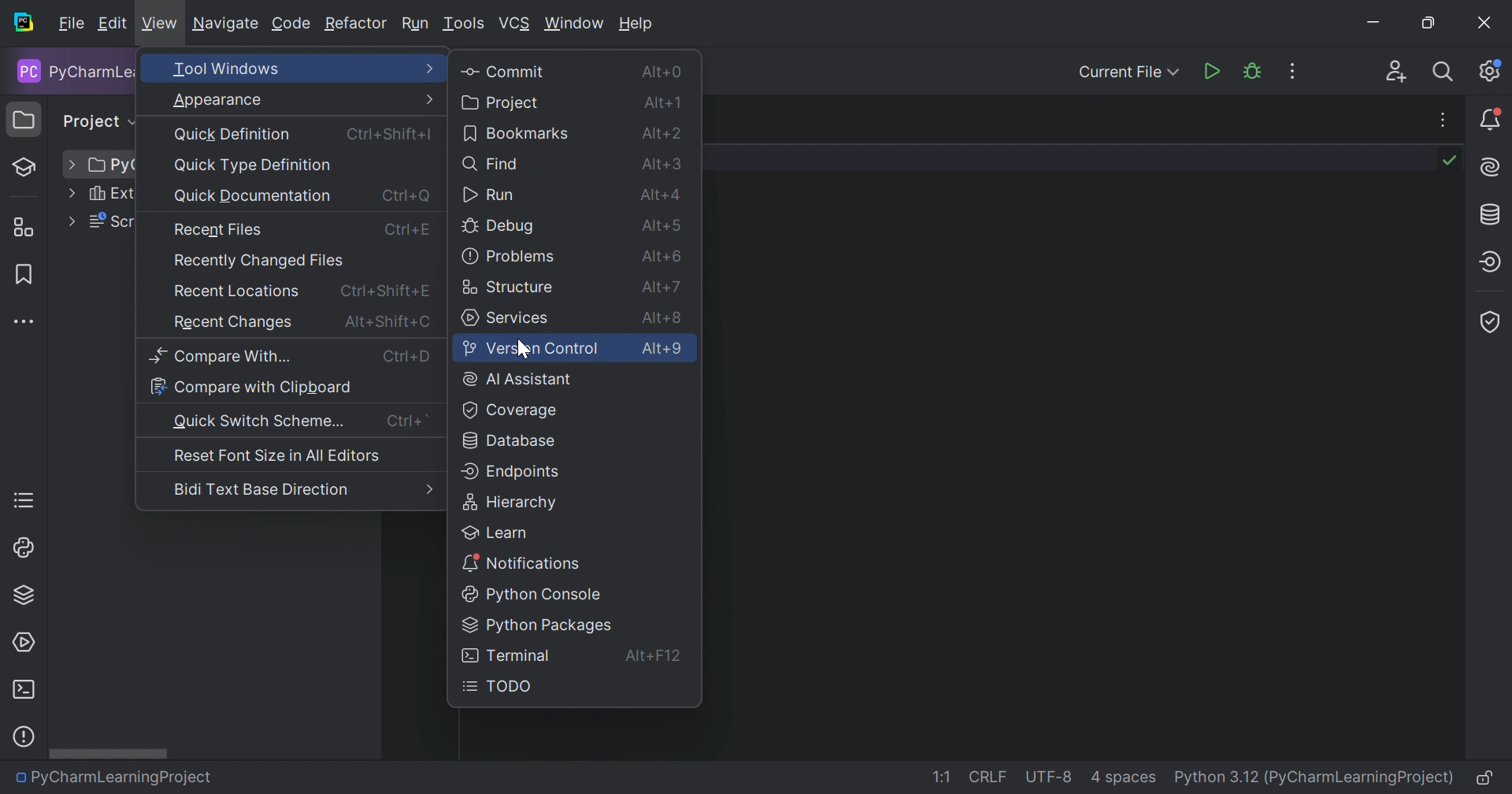 The image size is (1512, 794). I want to click on Version Control, so click(530, 348).